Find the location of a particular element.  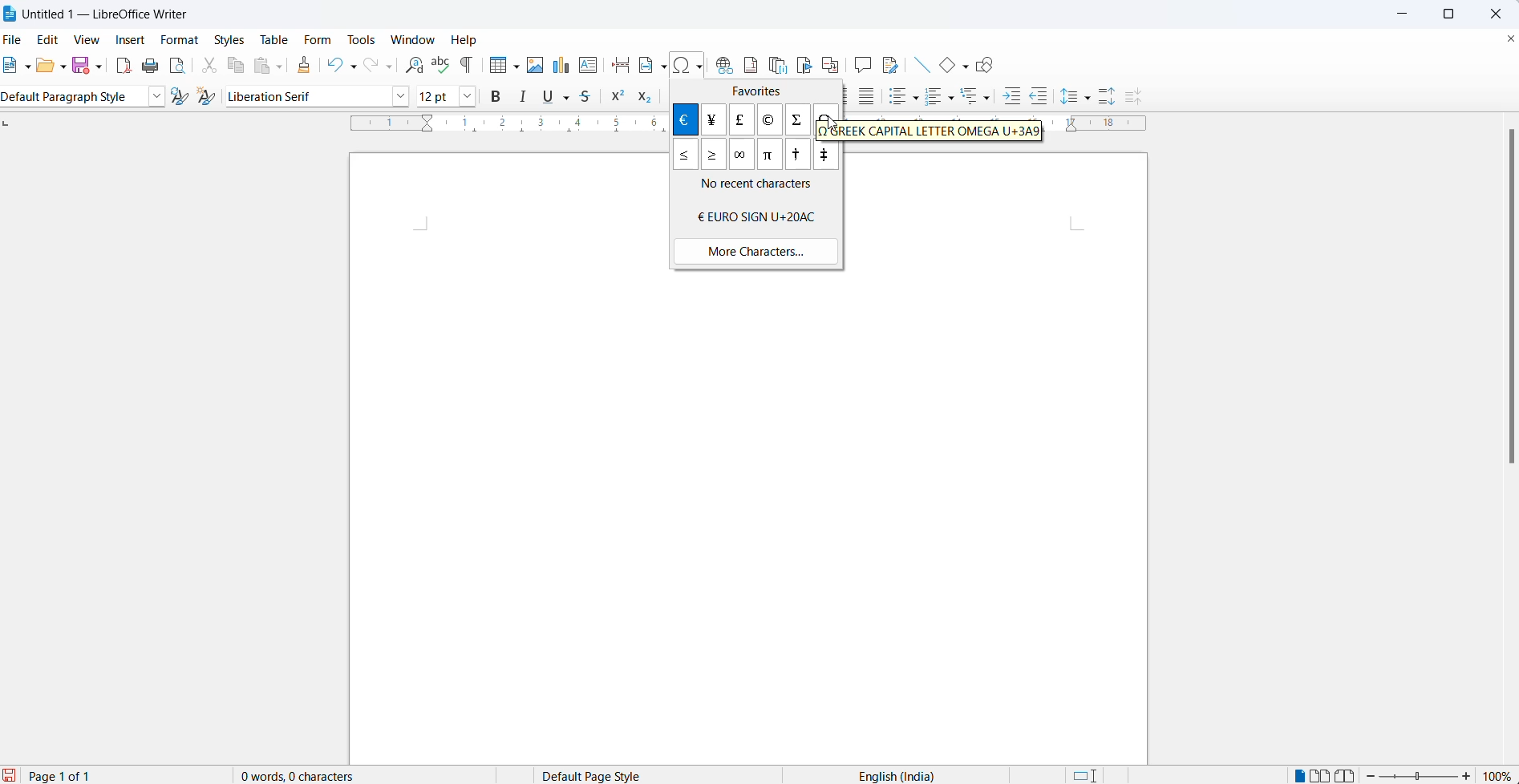

insert is located at coordinates (130, 38).